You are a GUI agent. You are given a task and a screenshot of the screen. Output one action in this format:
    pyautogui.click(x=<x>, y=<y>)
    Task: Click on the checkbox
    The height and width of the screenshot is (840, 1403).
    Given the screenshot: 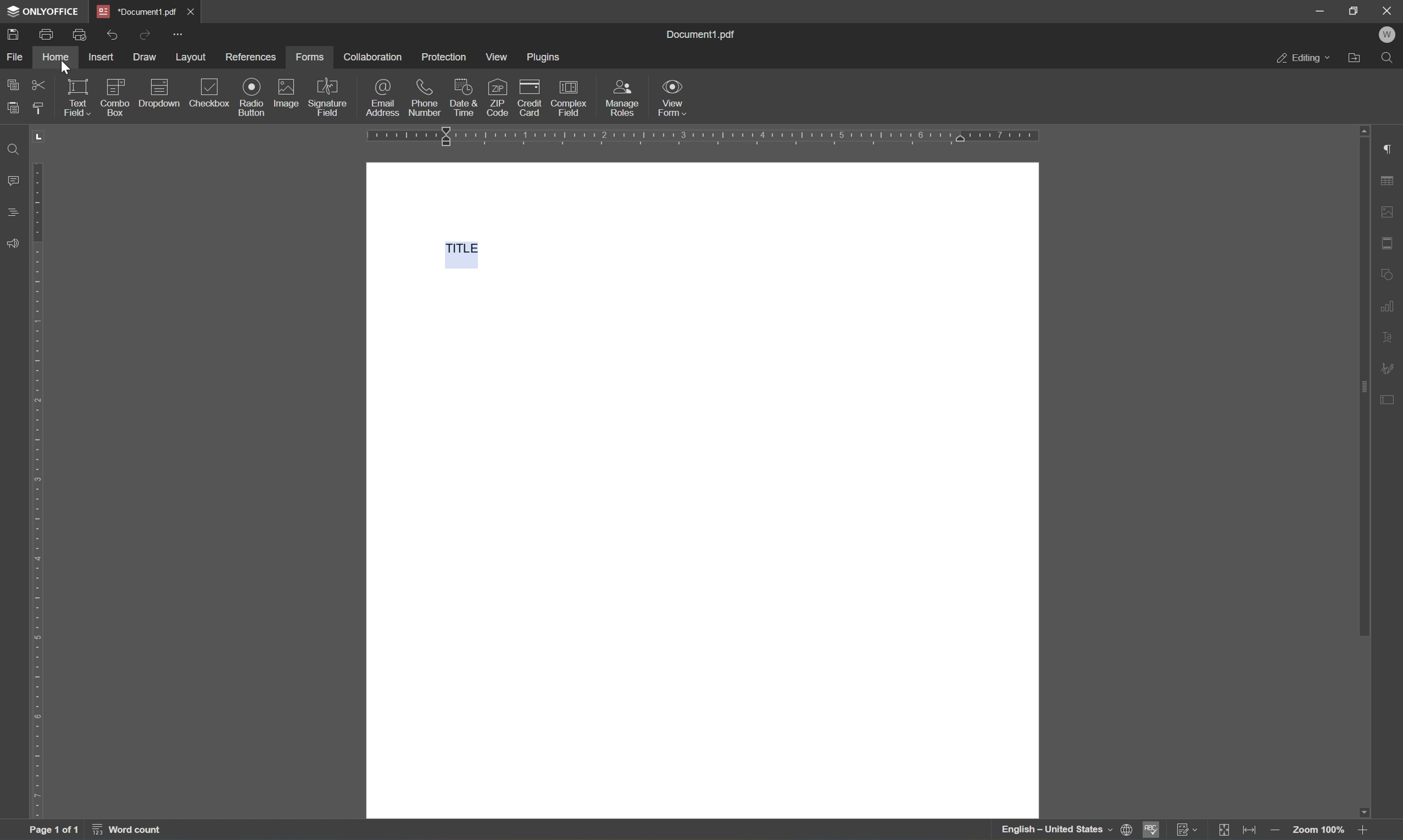 What is the action you would take?
    pyautogui.click(x=209, y=93)
    